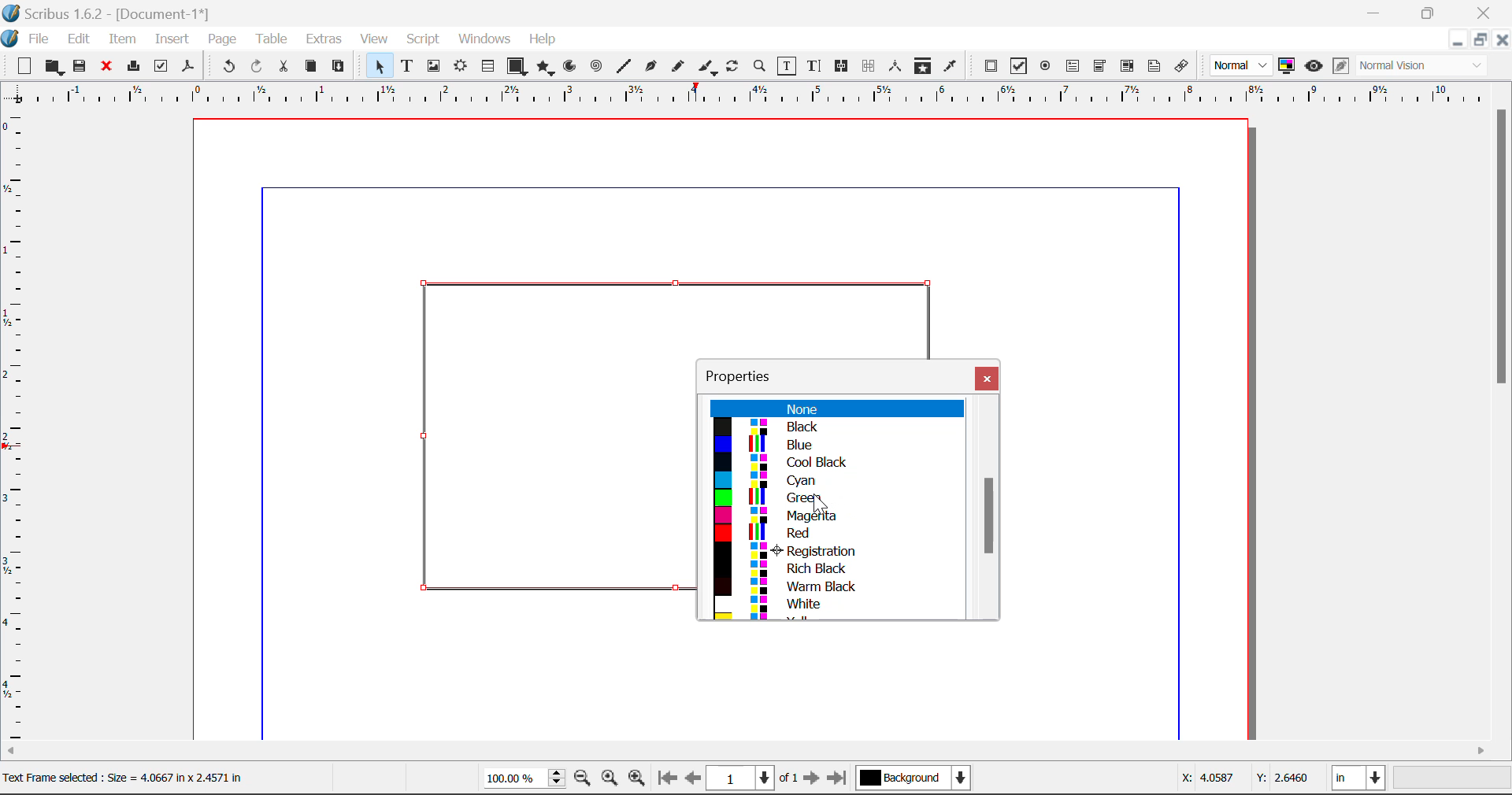  I want to click on Vertical Page Margins, so click(764, 94).